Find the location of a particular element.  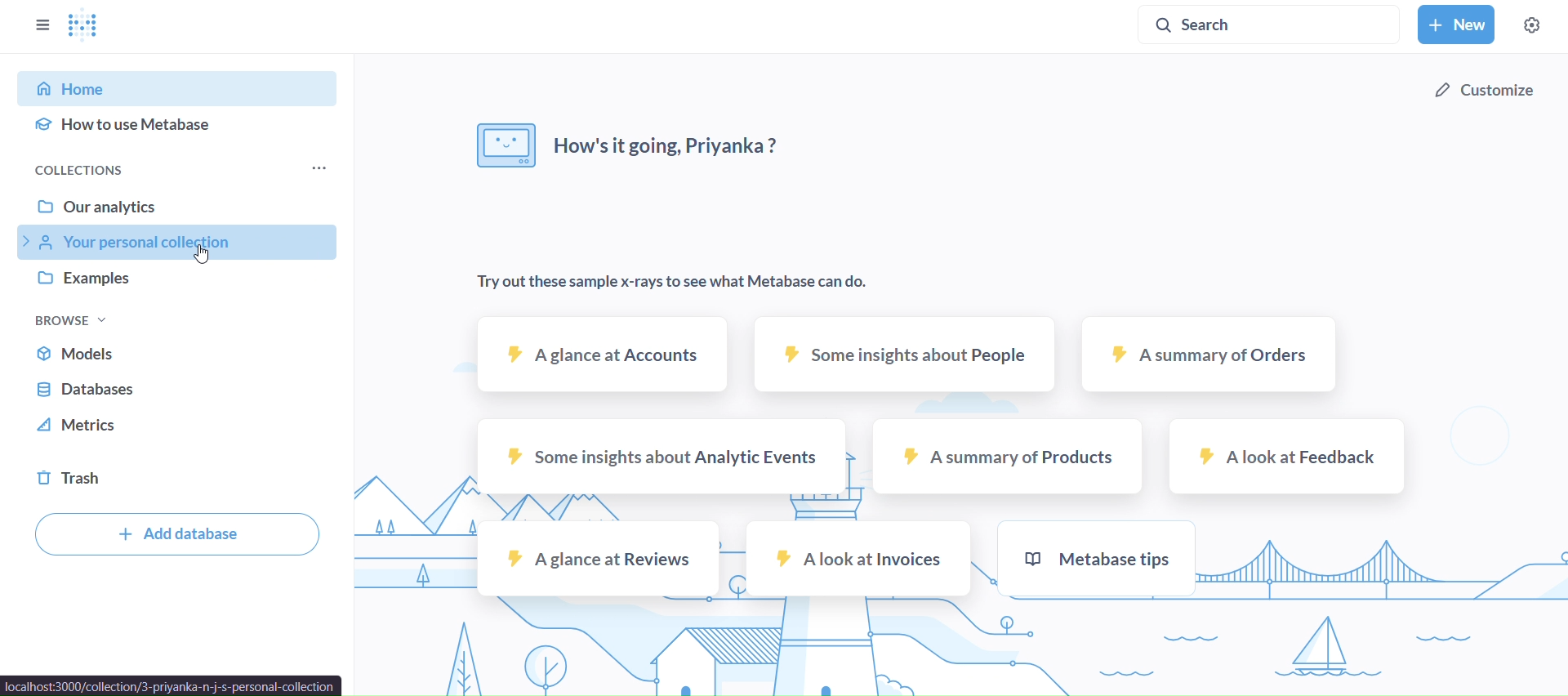

how it's going, priyanka? is located at coordinates (628, 144).